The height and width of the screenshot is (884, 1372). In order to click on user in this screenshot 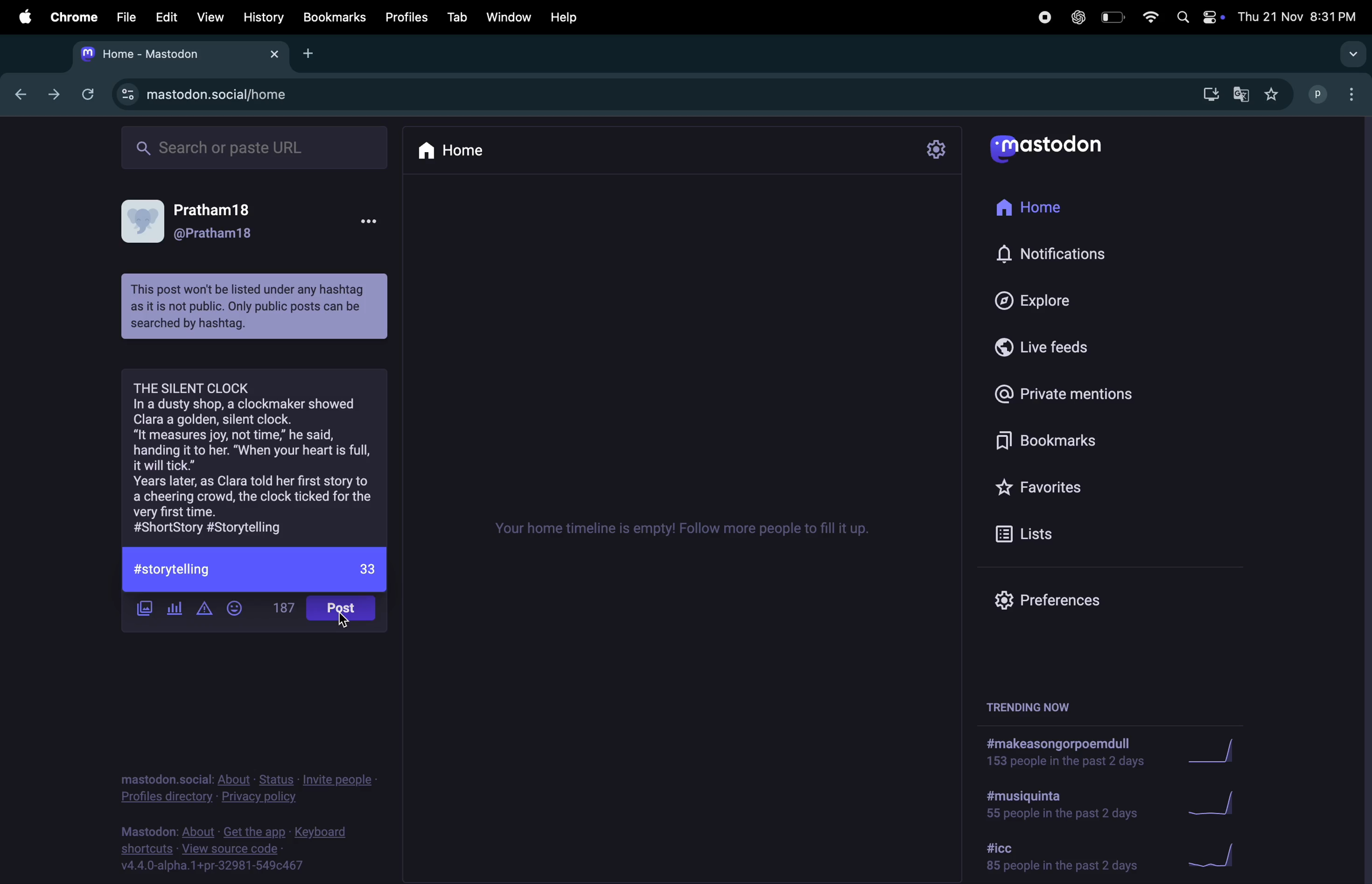, I will do `click(220, 209)`.